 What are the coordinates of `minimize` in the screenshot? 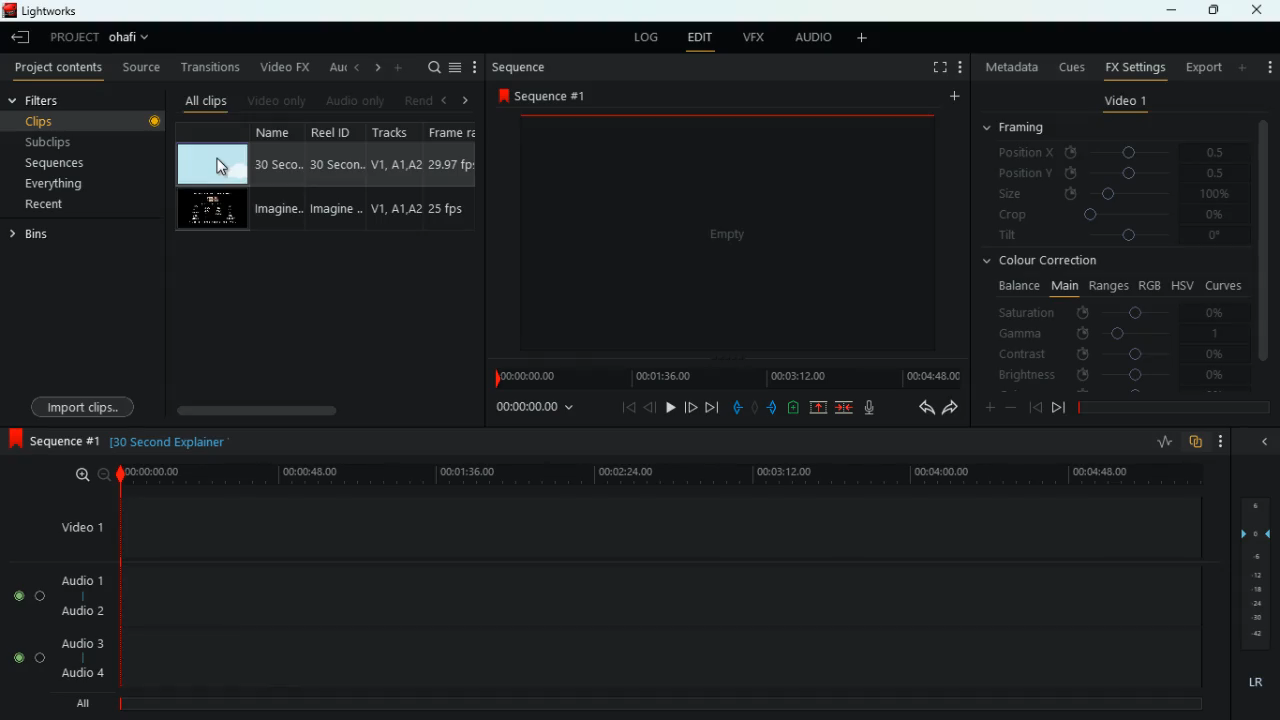 It's located at (1170, 10).